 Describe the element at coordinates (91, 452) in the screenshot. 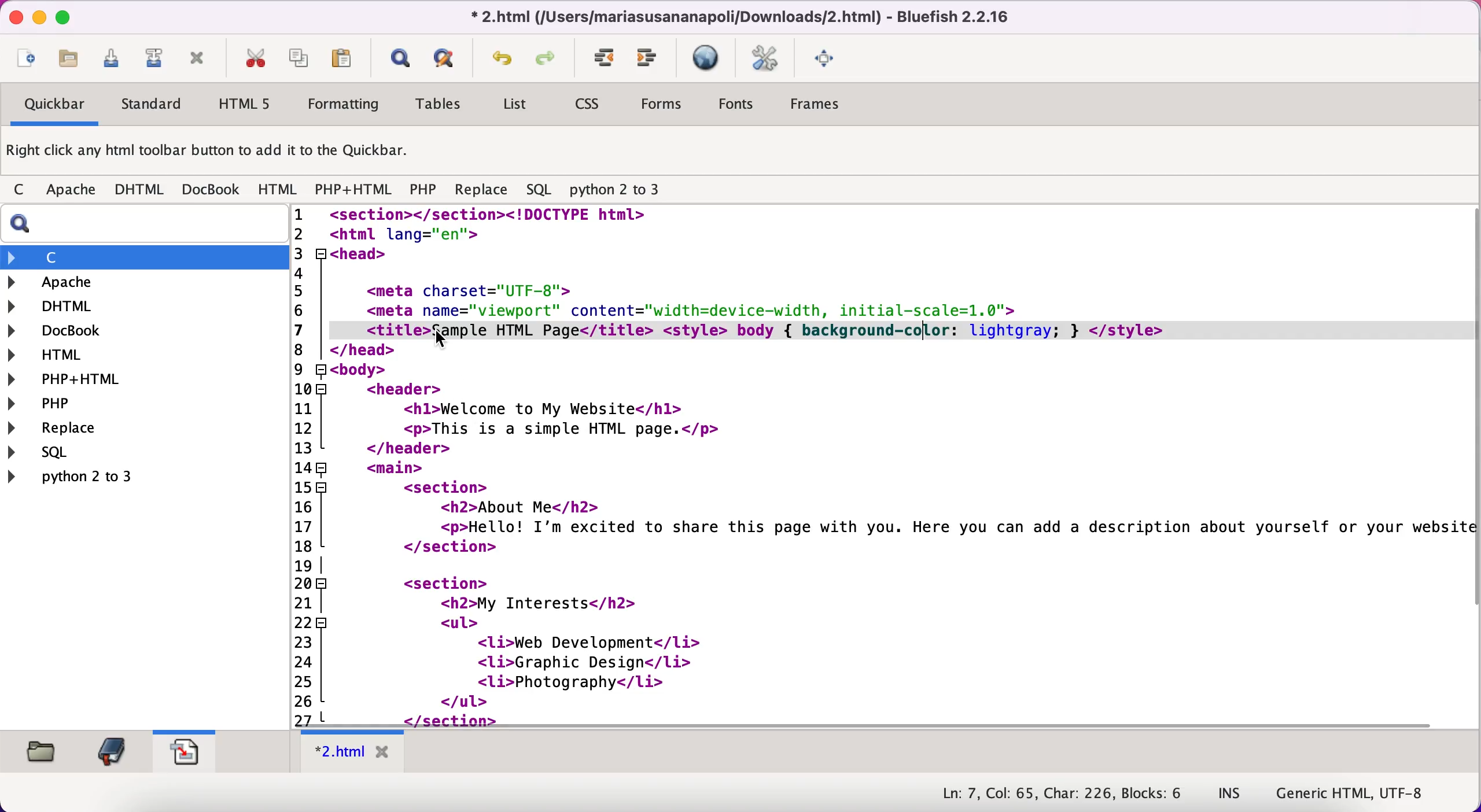

I see `sql` at that location.